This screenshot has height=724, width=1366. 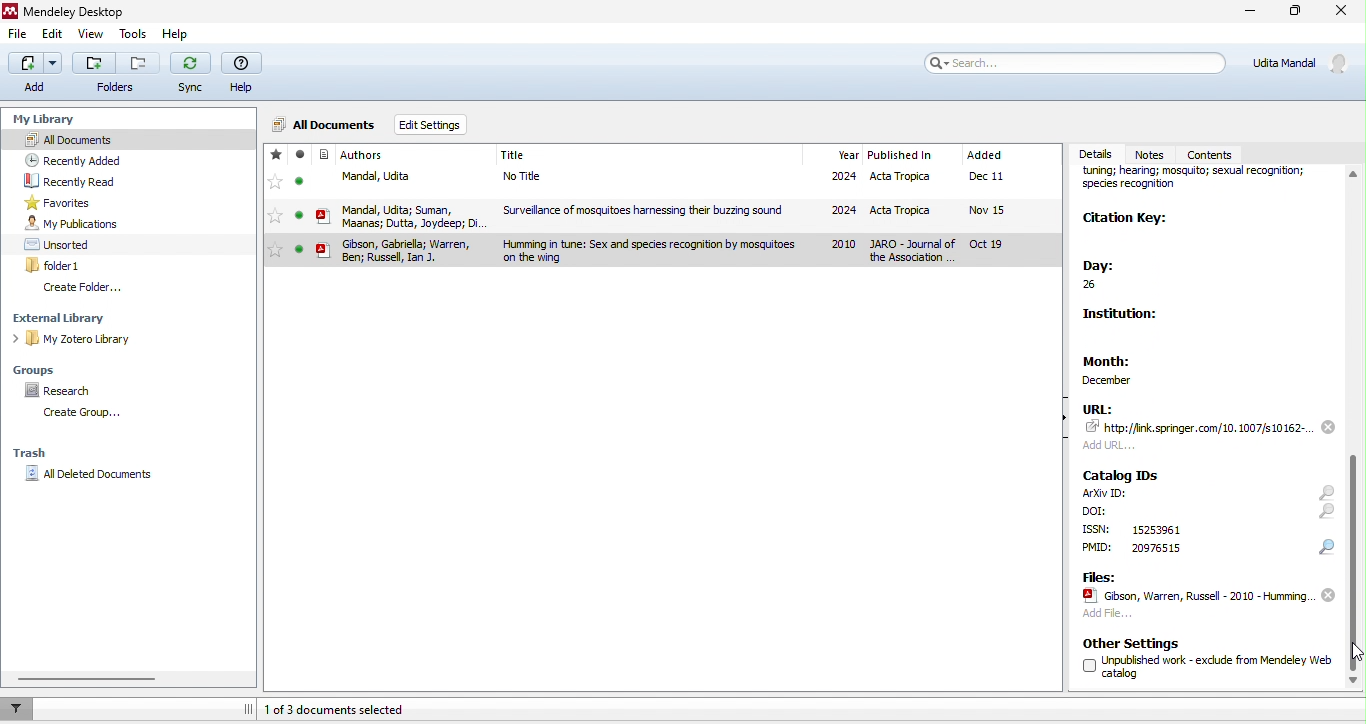 What do you see at coordinates (78, 413) in the screenshot?
I see `create group` at bounding box center [78, 413].